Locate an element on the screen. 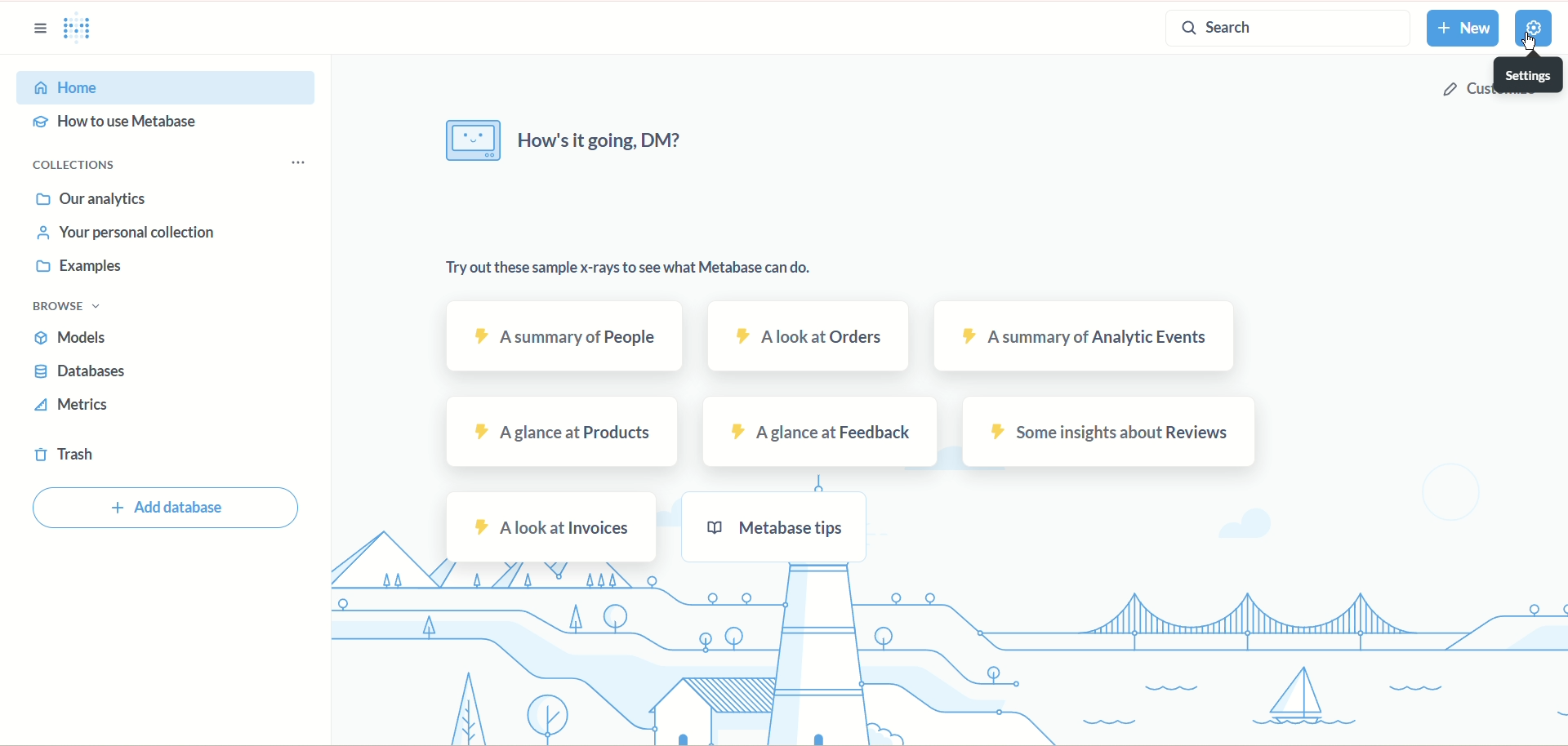  a summary of analytic events is located at coordinates (1079, 336).